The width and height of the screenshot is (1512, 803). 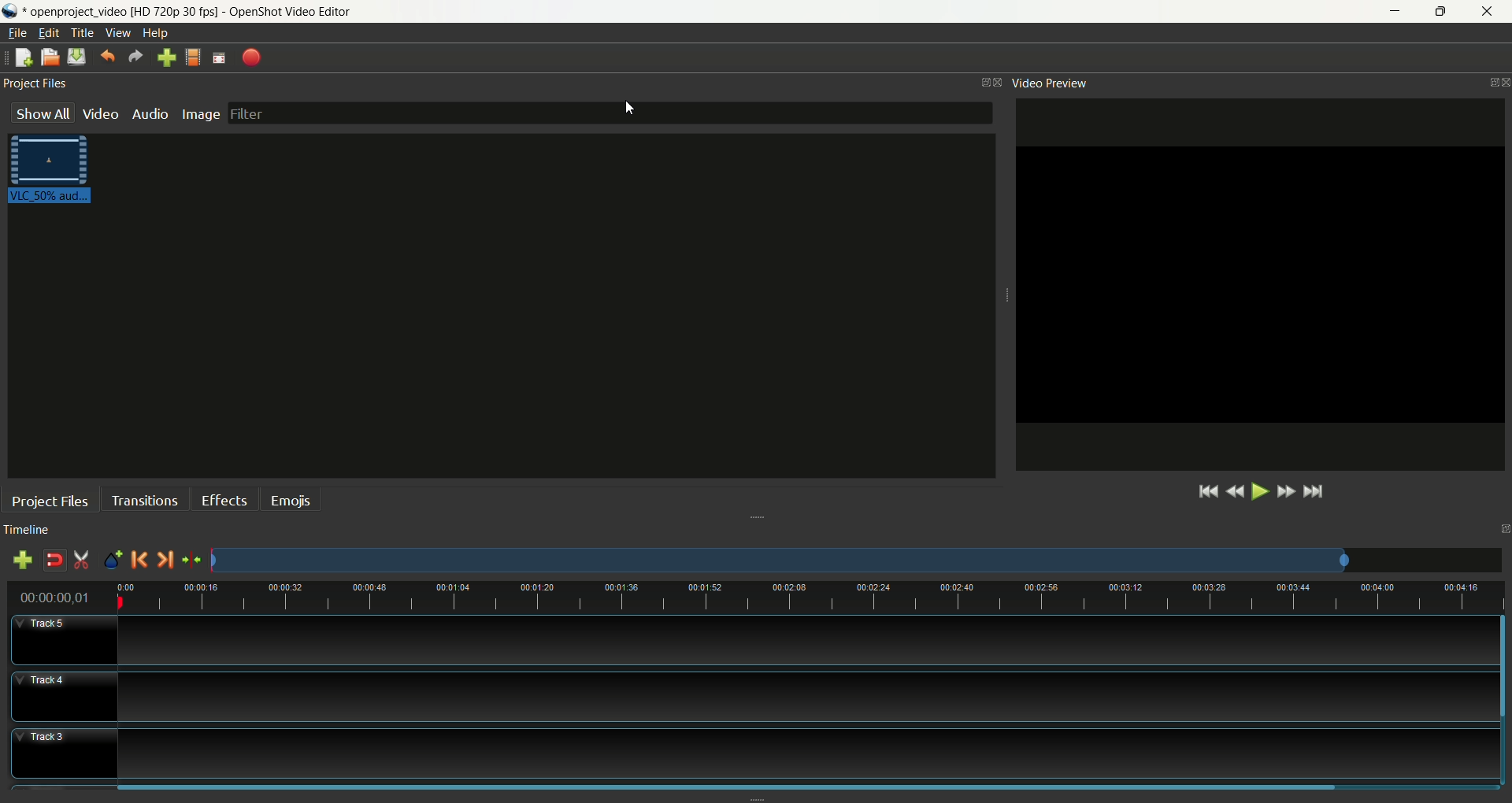 What do you see at coordinates (82, 31) in the screenshot?
I see `title` at bounding box center [82, 31].